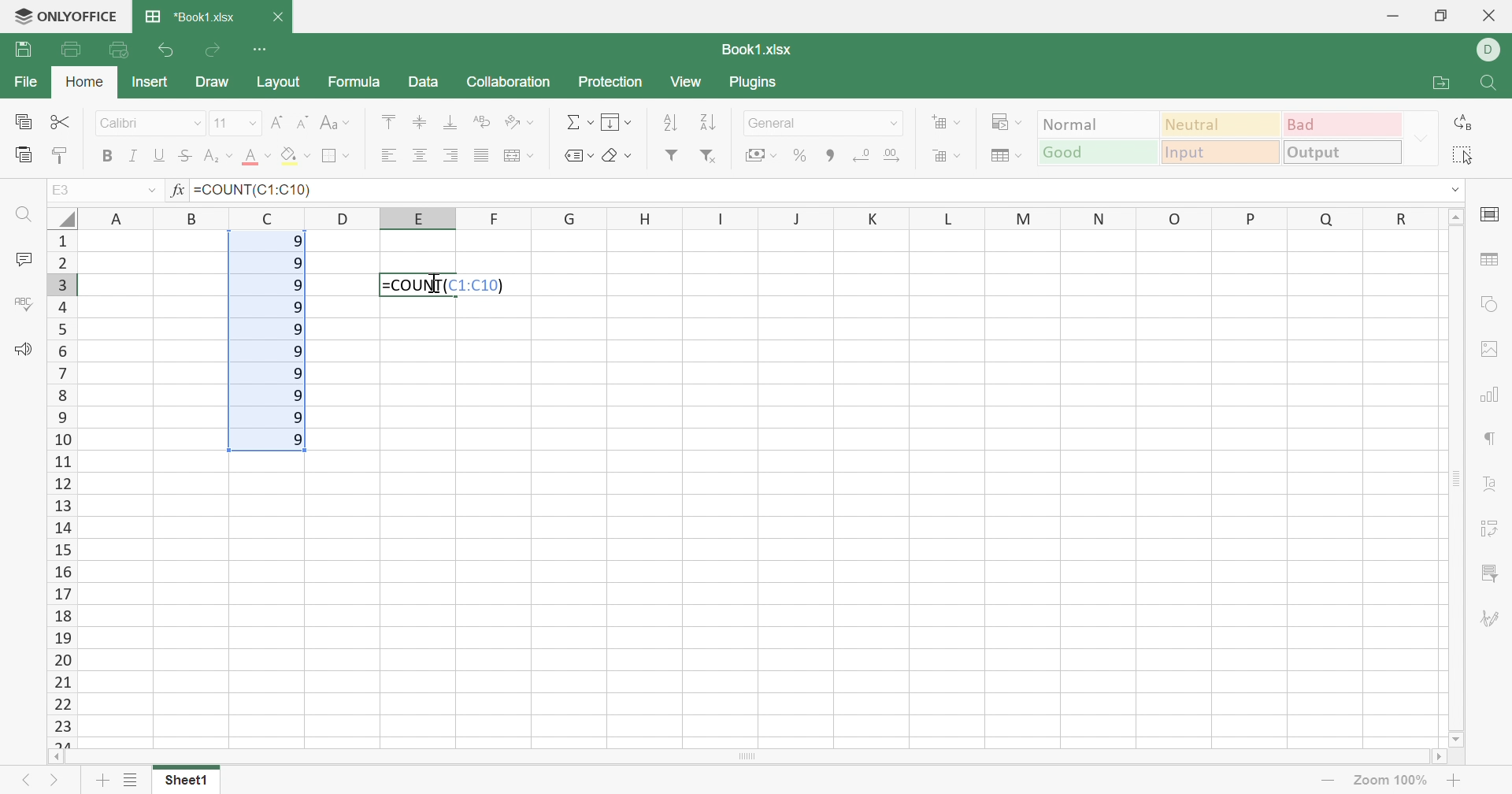 The width and height of the screenshot is (1512, 794). Describe the element at coordinates (1492, 258) in the screenshot. I see `table settings` at that location.